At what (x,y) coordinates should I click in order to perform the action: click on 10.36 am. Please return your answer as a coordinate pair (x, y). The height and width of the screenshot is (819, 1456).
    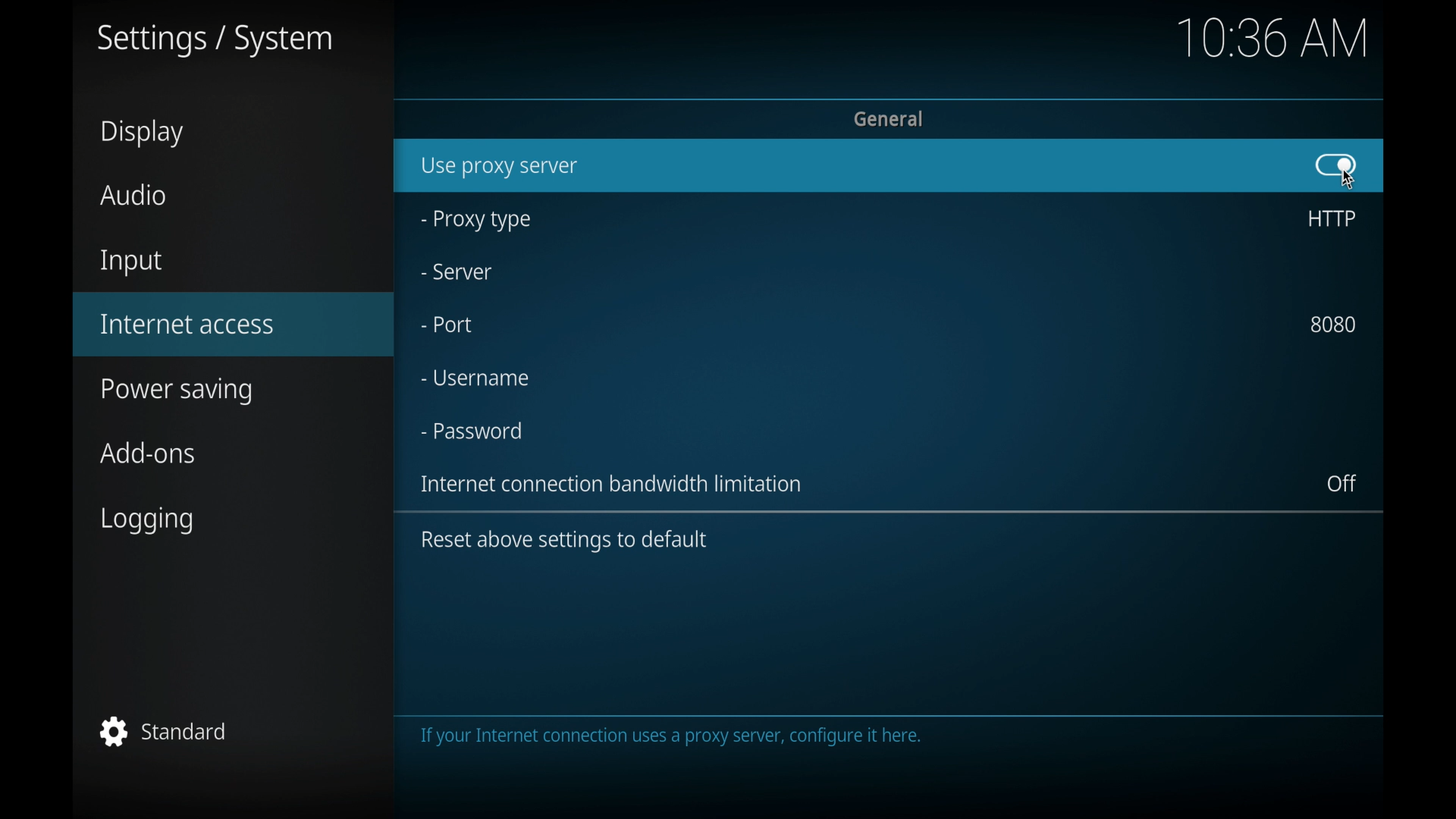
    Looking at the image, I should click on (1272, 38).